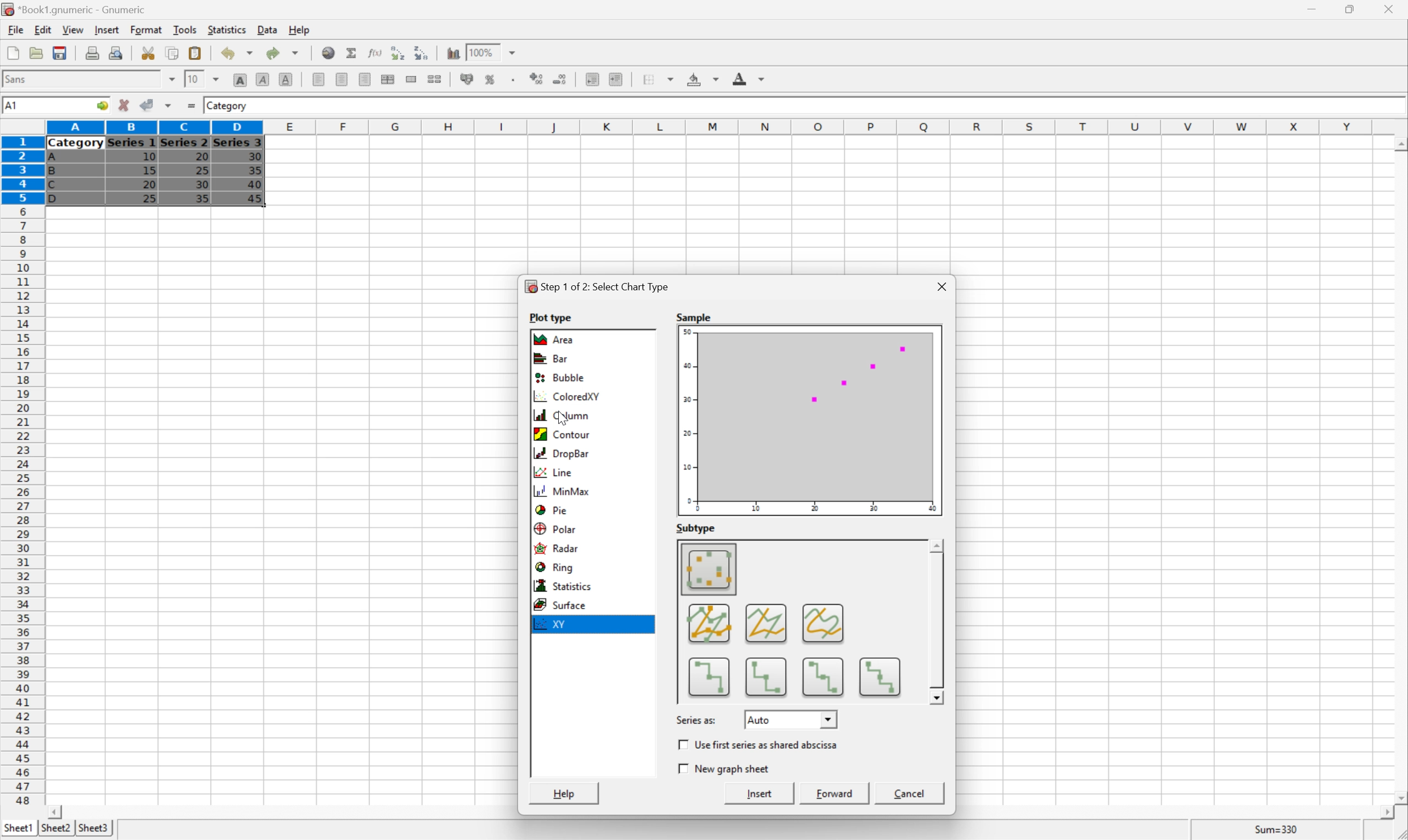 The image size is (1408, 840). What do you see at coordinates (1398, 143) in the screenshot?
I see `Scroll Up` at bounding box center [1398, 143].